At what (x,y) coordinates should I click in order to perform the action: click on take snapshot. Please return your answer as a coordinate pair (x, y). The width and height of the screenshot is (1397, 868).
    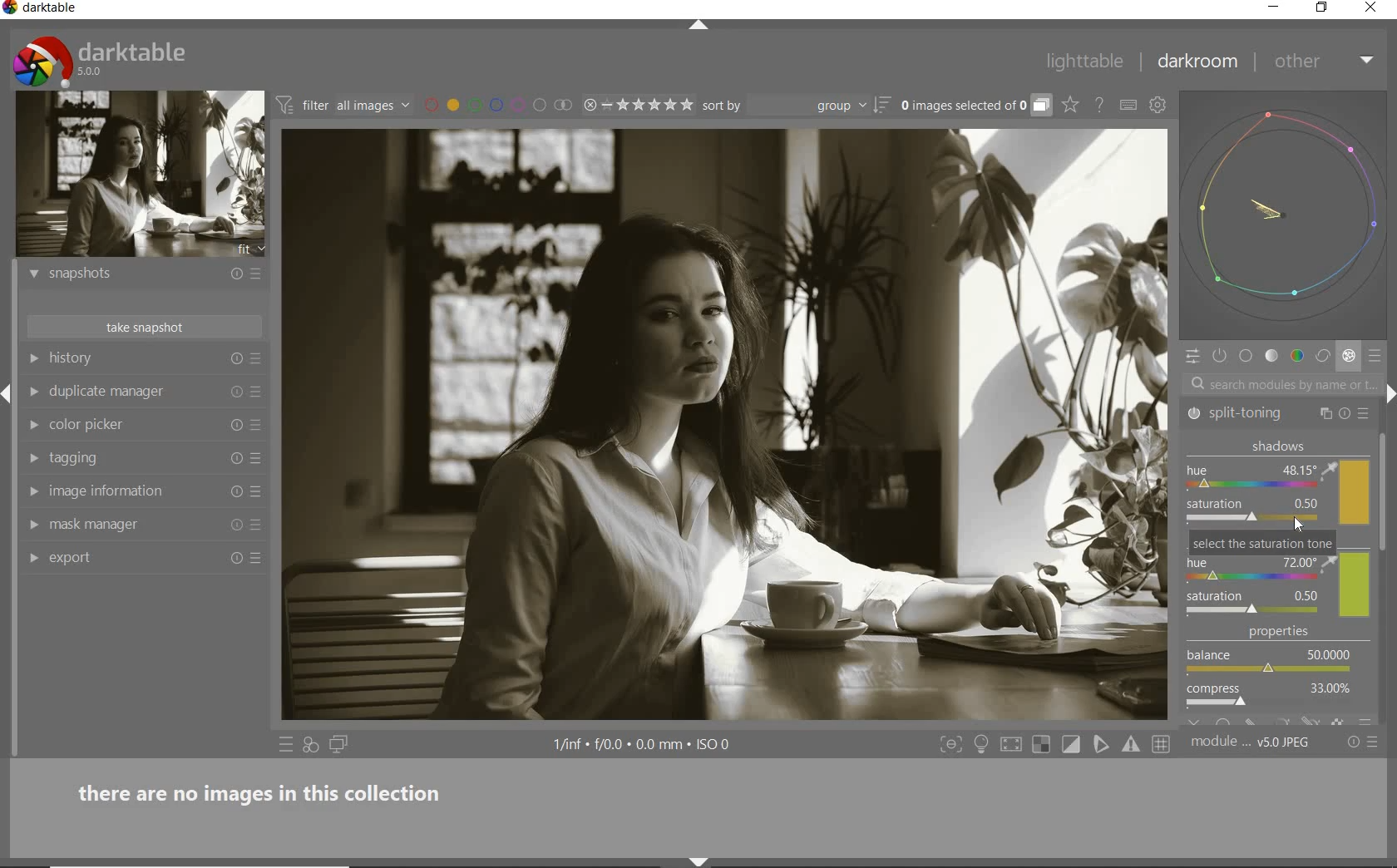
    Looking at the image, I should click on (141, 327).